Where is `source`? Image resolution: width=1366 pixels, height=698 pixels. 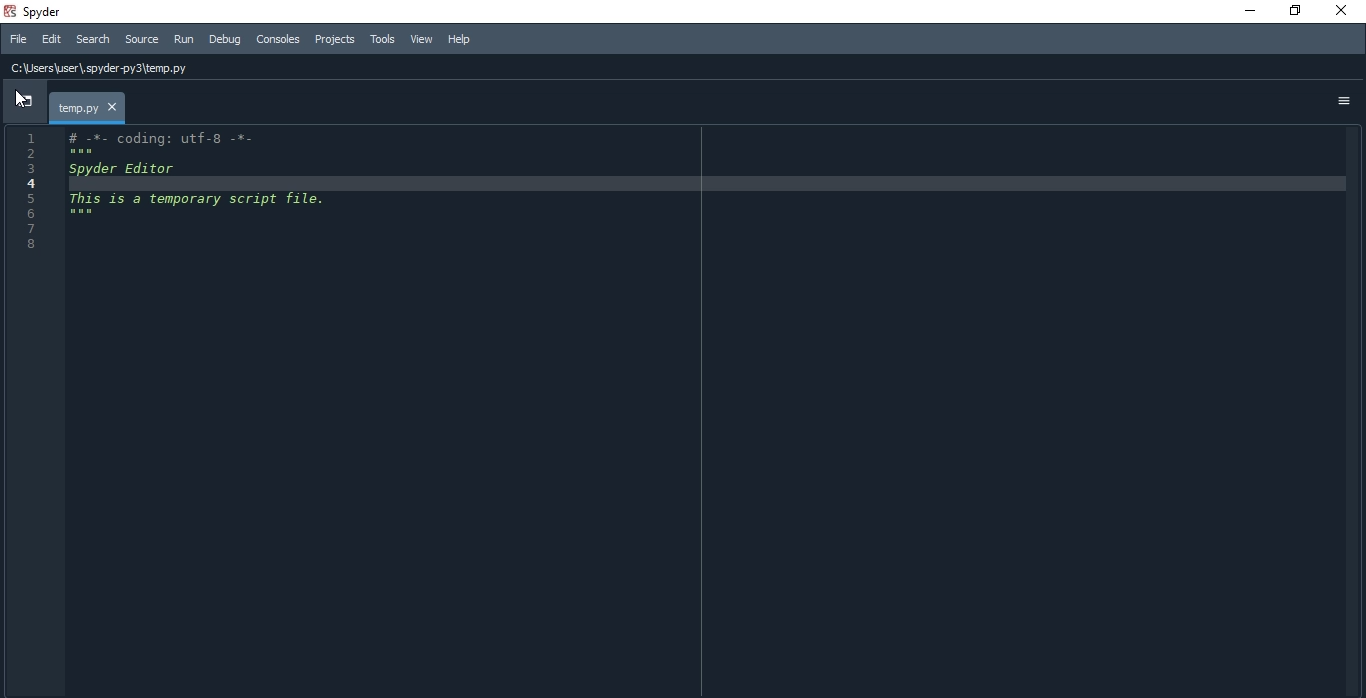
source is located at coordinates (141, 41).